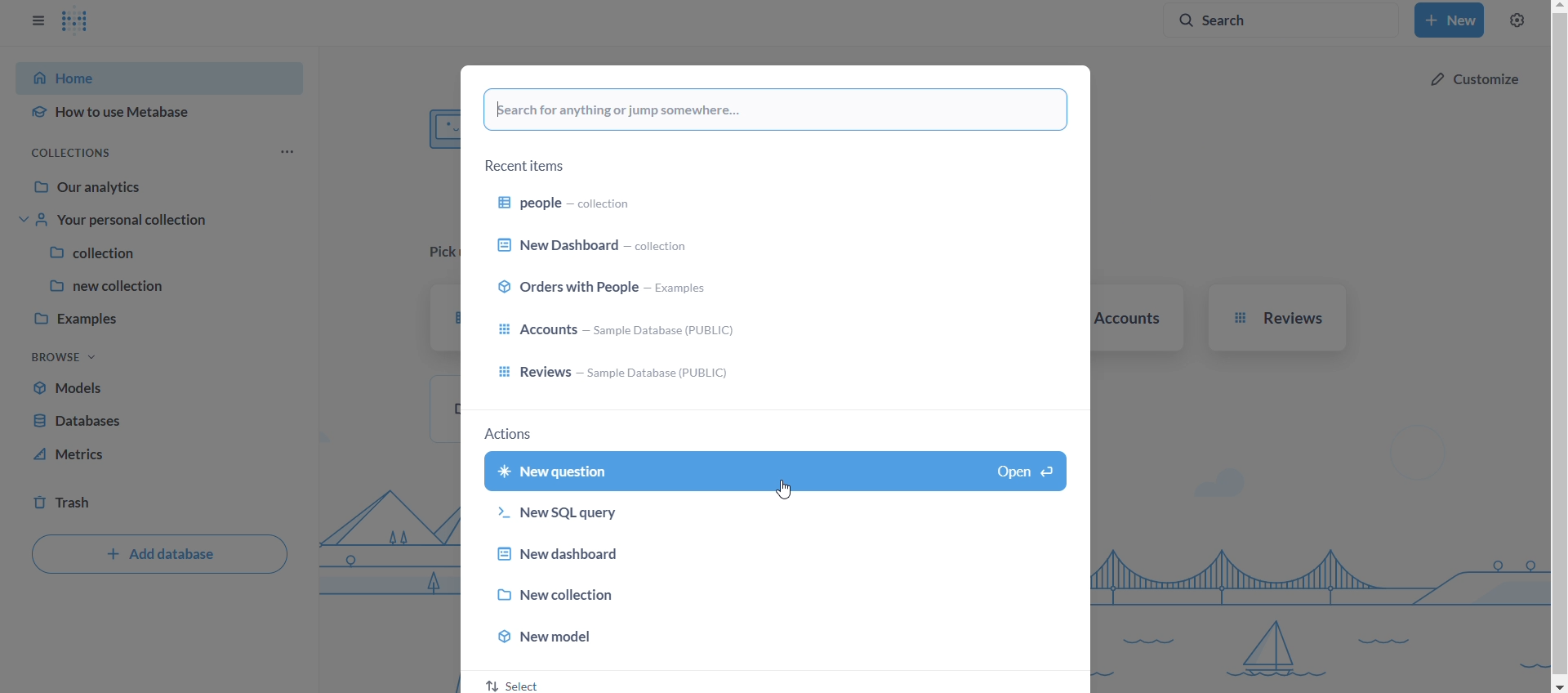  Describe the element at coordinates (779, 471) in the screenshot. I see `` at that location.